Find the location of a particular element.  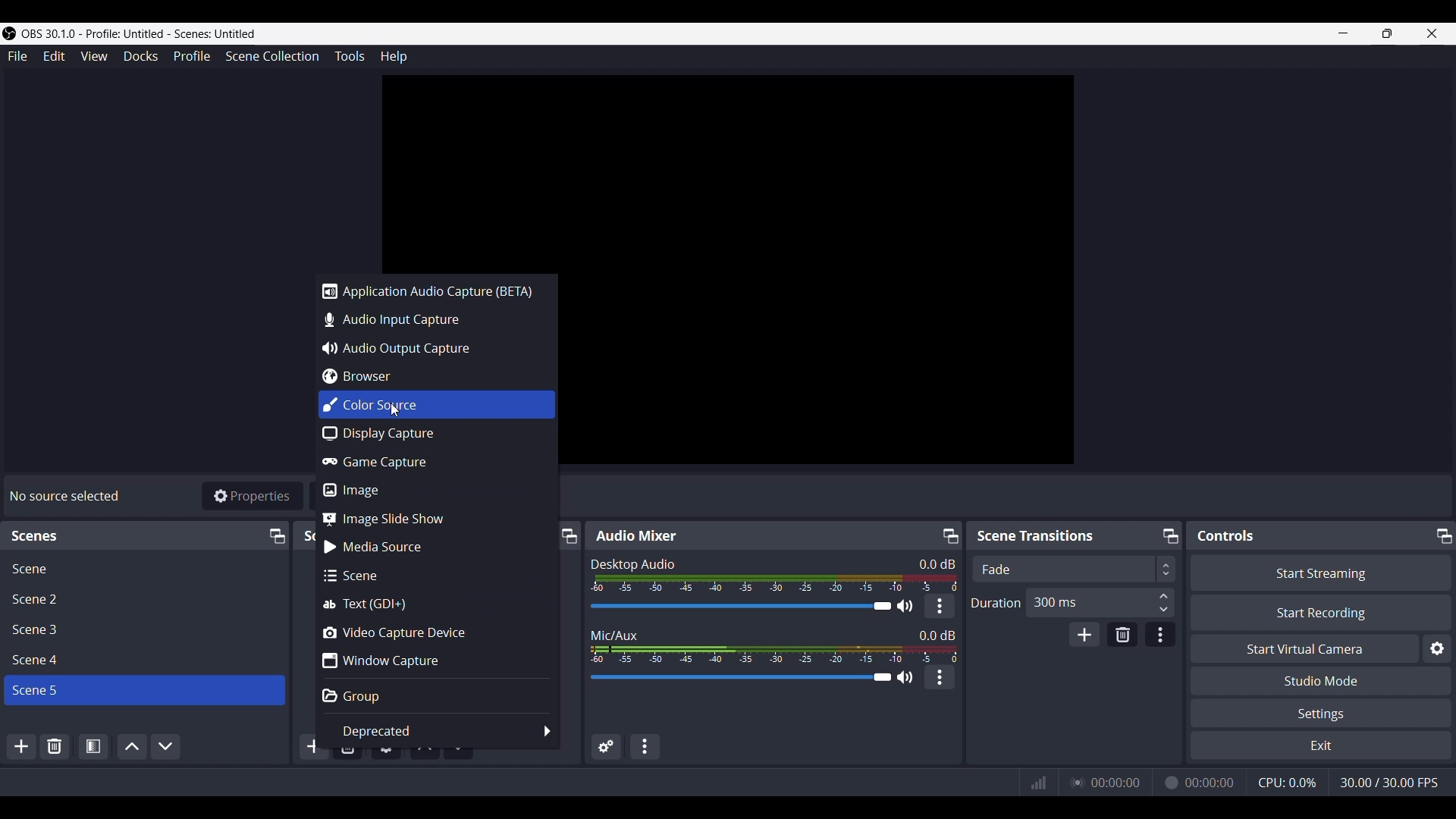

File is located at coordinates (16, 55).